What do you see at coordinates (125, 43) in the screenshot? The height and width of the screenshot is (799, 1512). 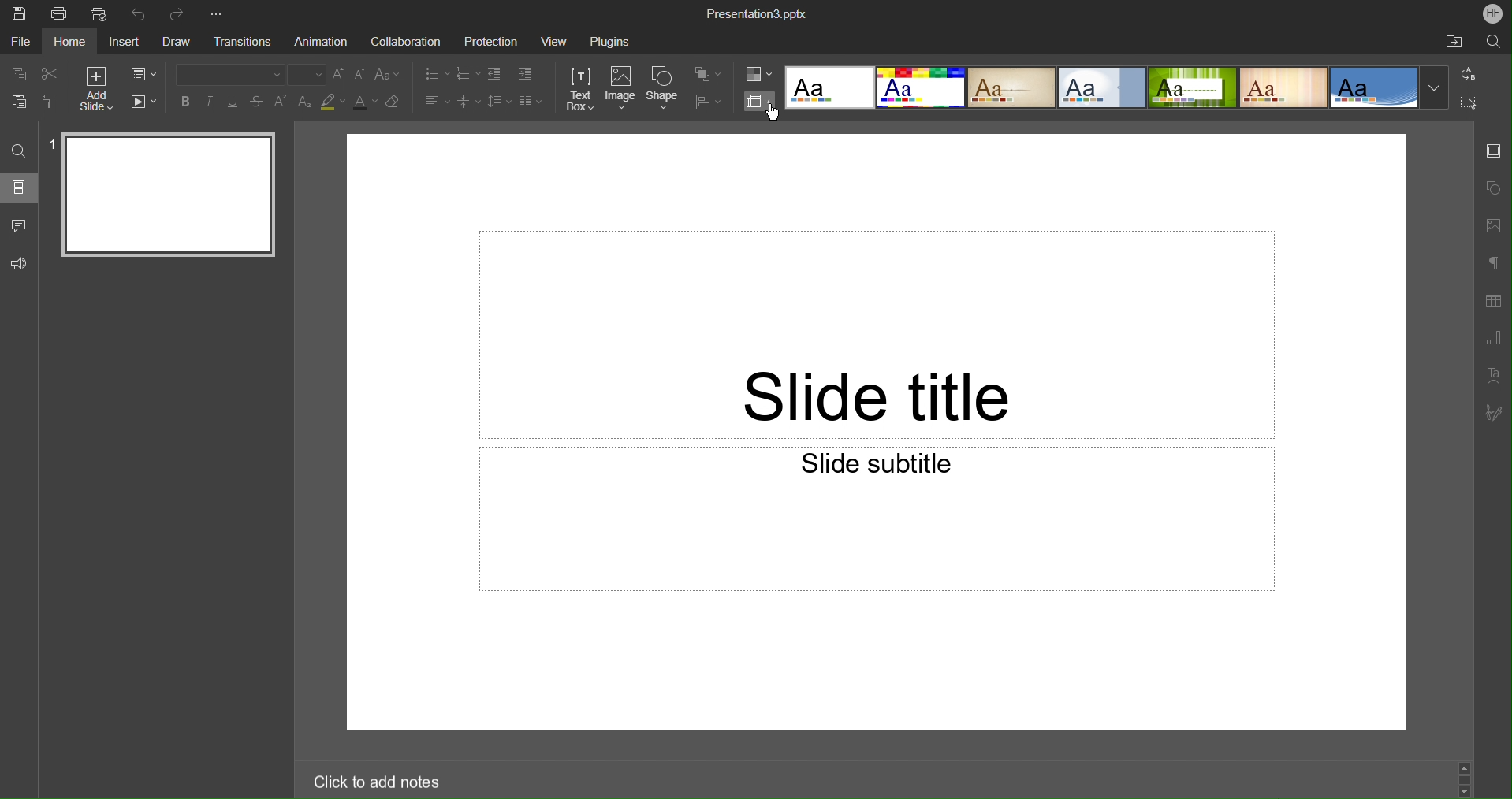 I see `Insert` at bounding box center [125, 43].